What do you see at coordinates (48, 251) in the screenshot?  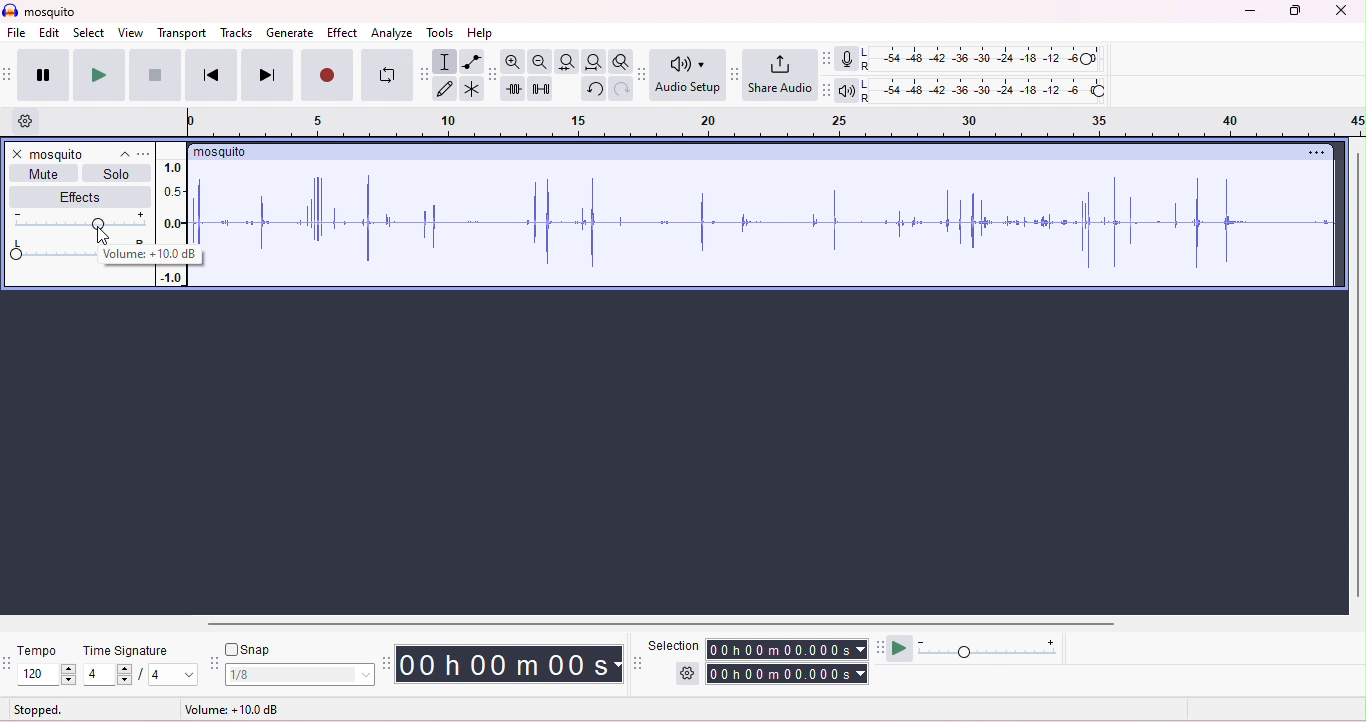 I see `pan` at bounding box center [48, 251].